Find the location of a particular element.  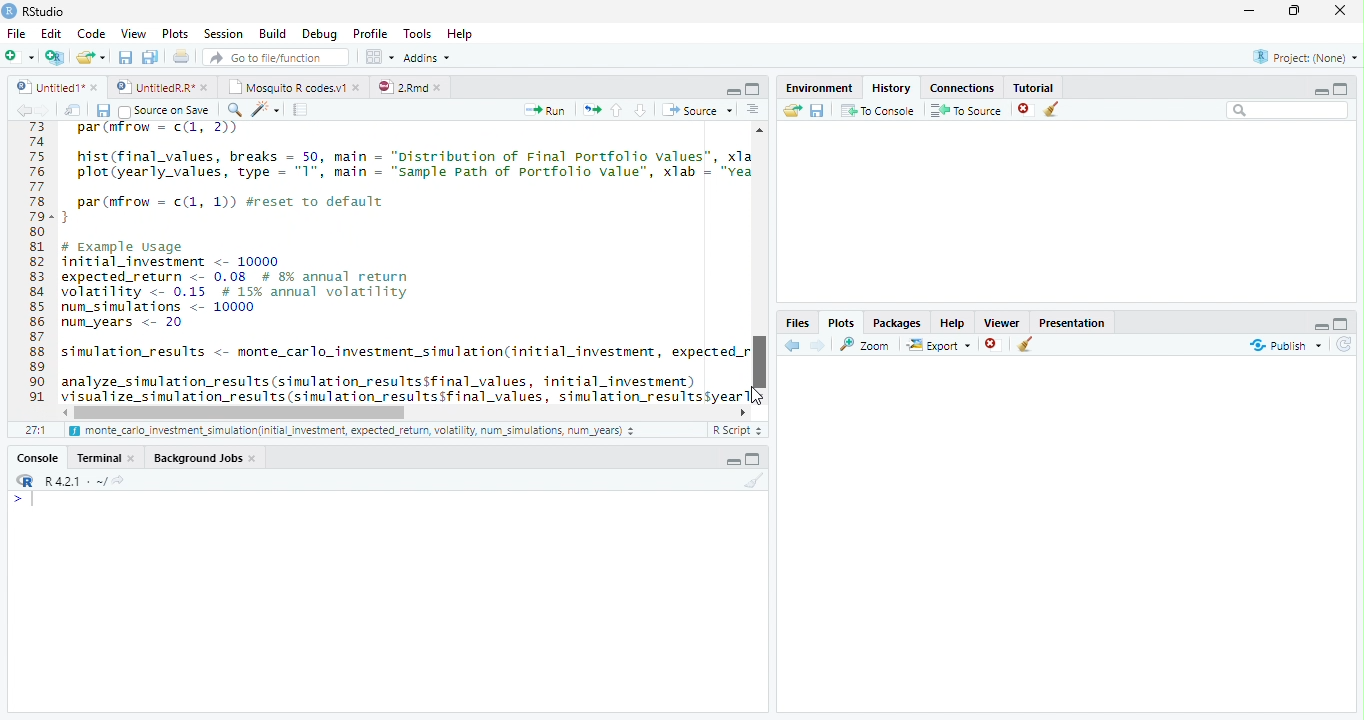

Create project is located at coordinates (54, 57).